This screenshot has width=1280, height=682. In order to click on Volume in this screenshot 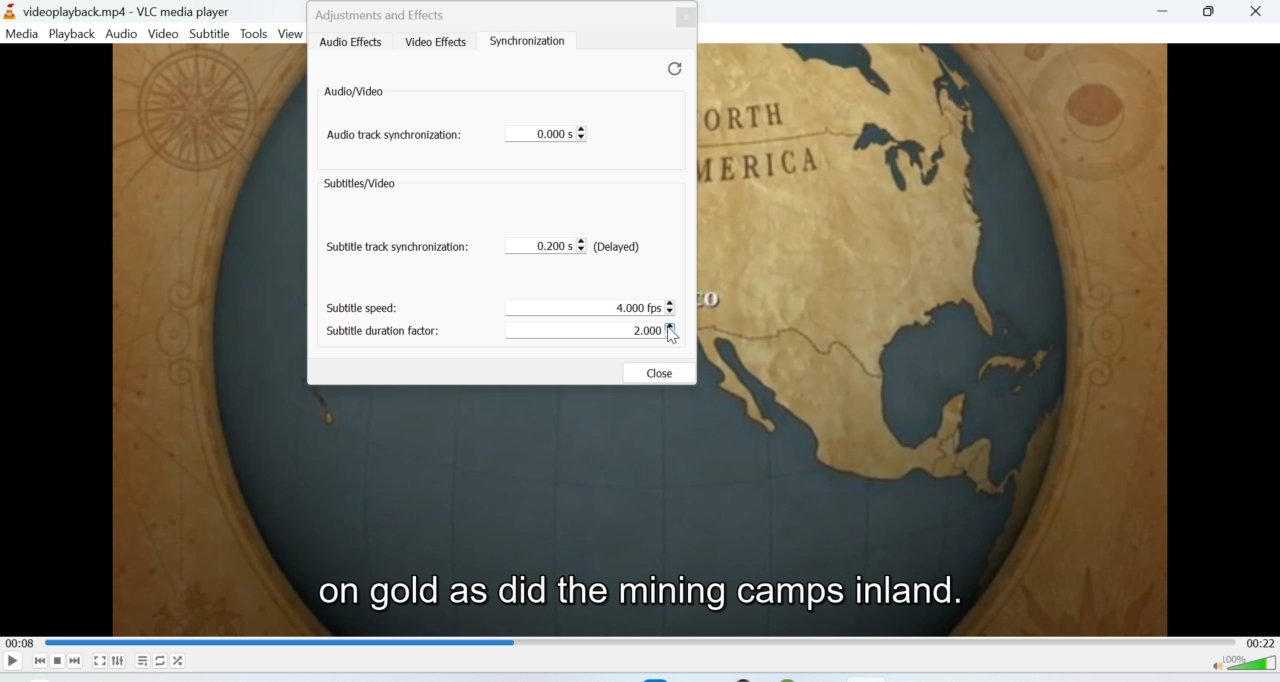, I will do `click(1244, 667)`.